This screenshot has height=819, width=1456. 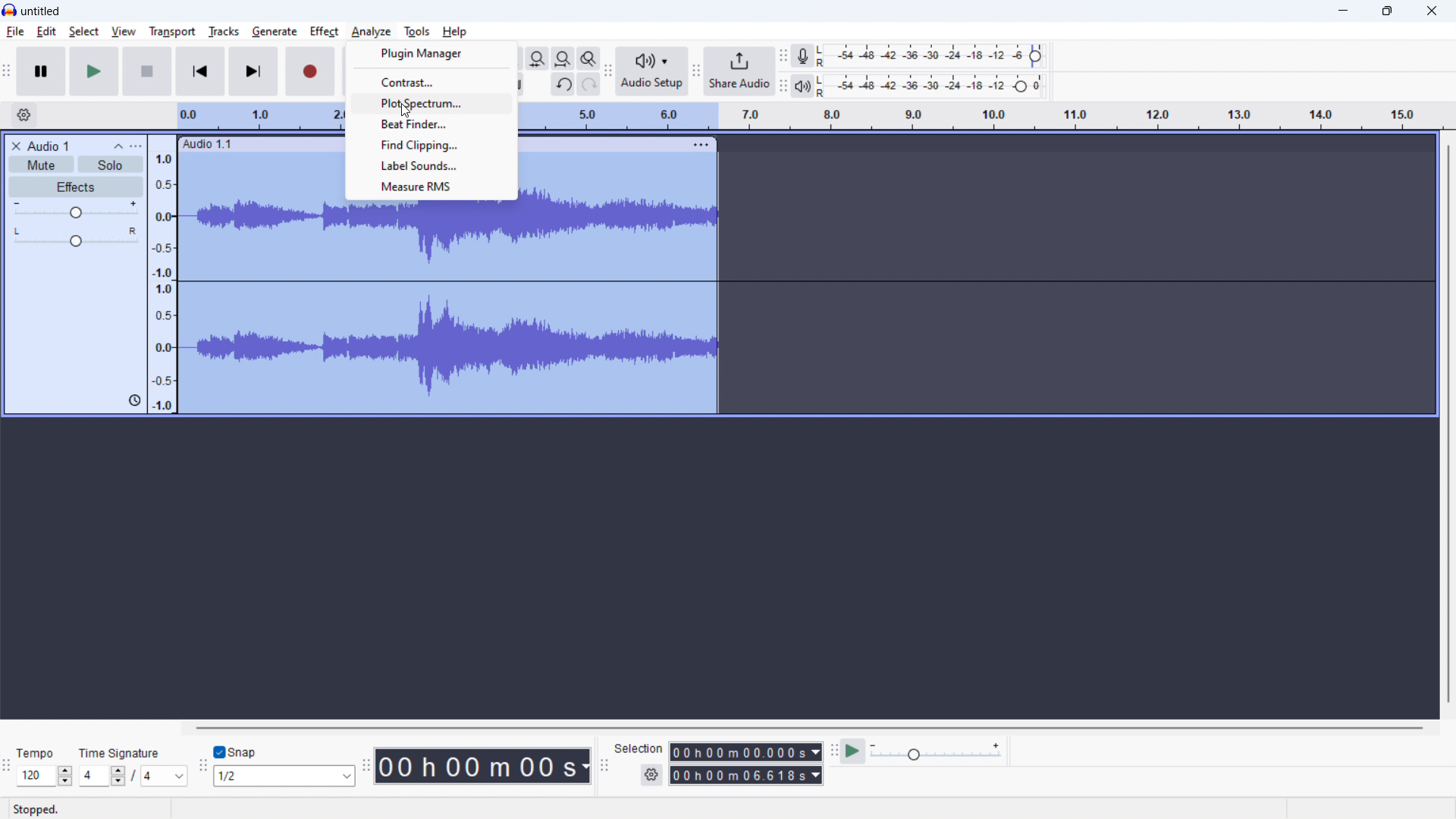 I want to click on selection options, so click(x=652, y=775).